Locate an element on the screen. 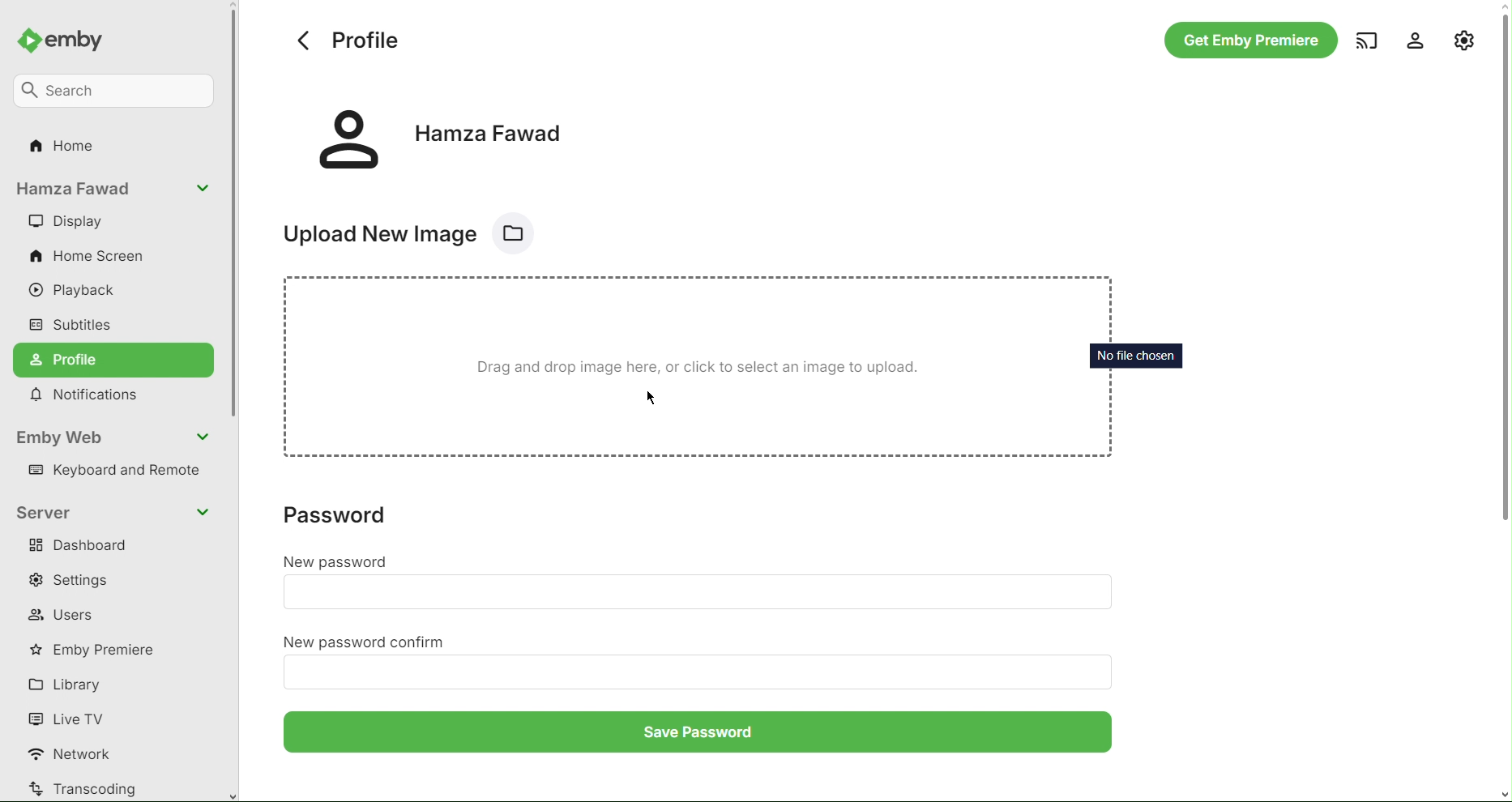  Settings is located at coordinates (1464, 38).